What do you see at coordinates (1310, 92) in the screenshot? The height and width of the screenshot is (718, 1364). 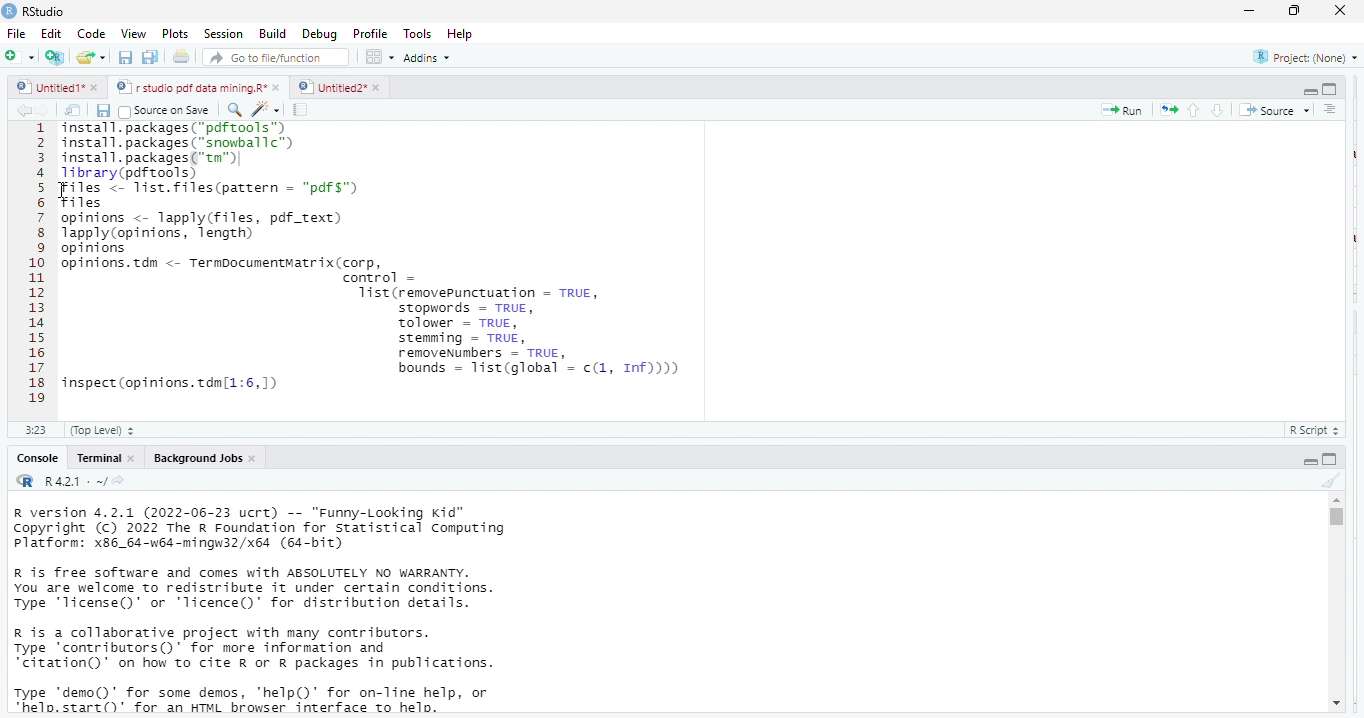 I see `hide r script` at bounding box center [1310, 92].